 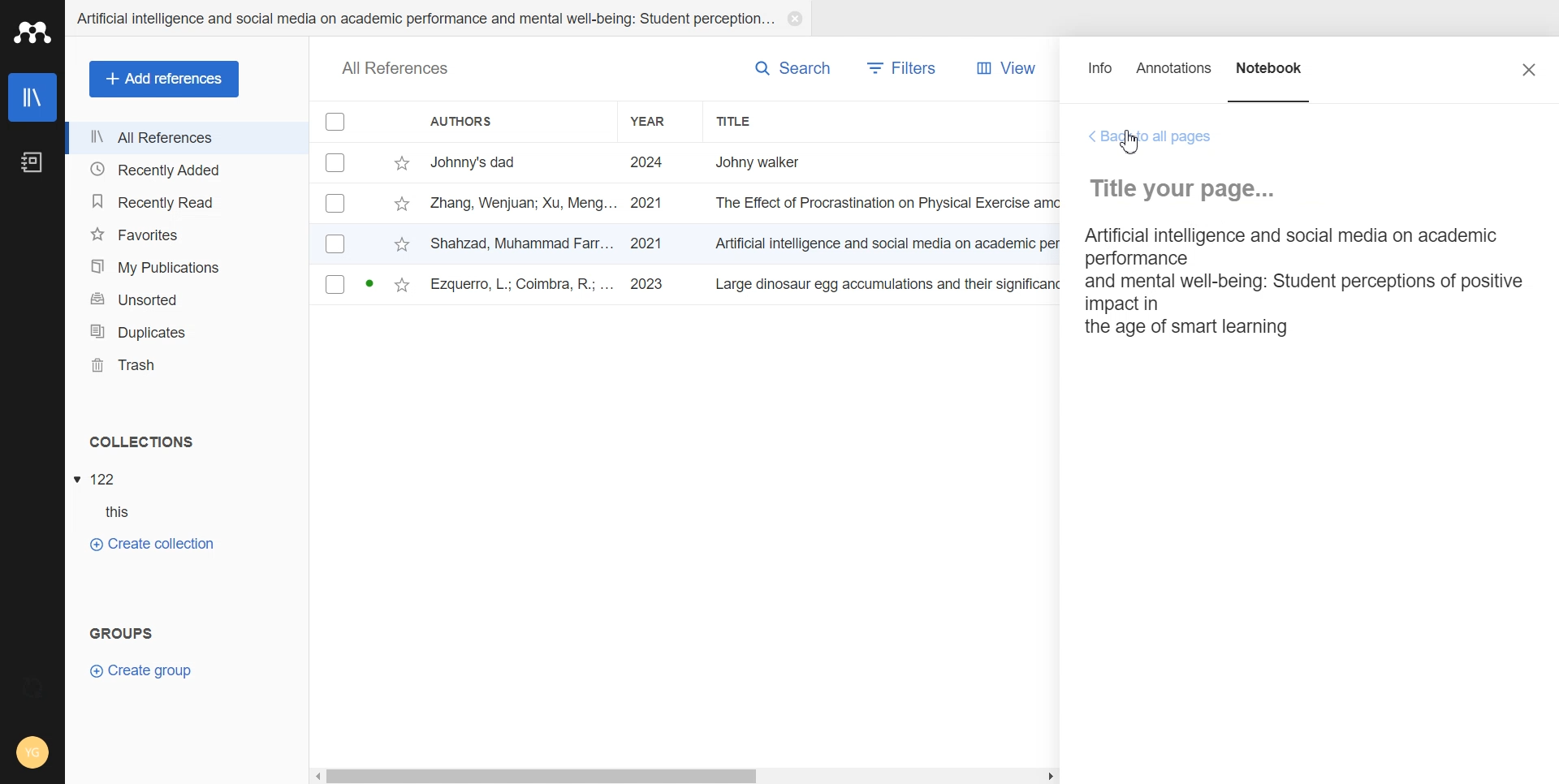 I want to click on Checkbox, so click(x=336, y=243).